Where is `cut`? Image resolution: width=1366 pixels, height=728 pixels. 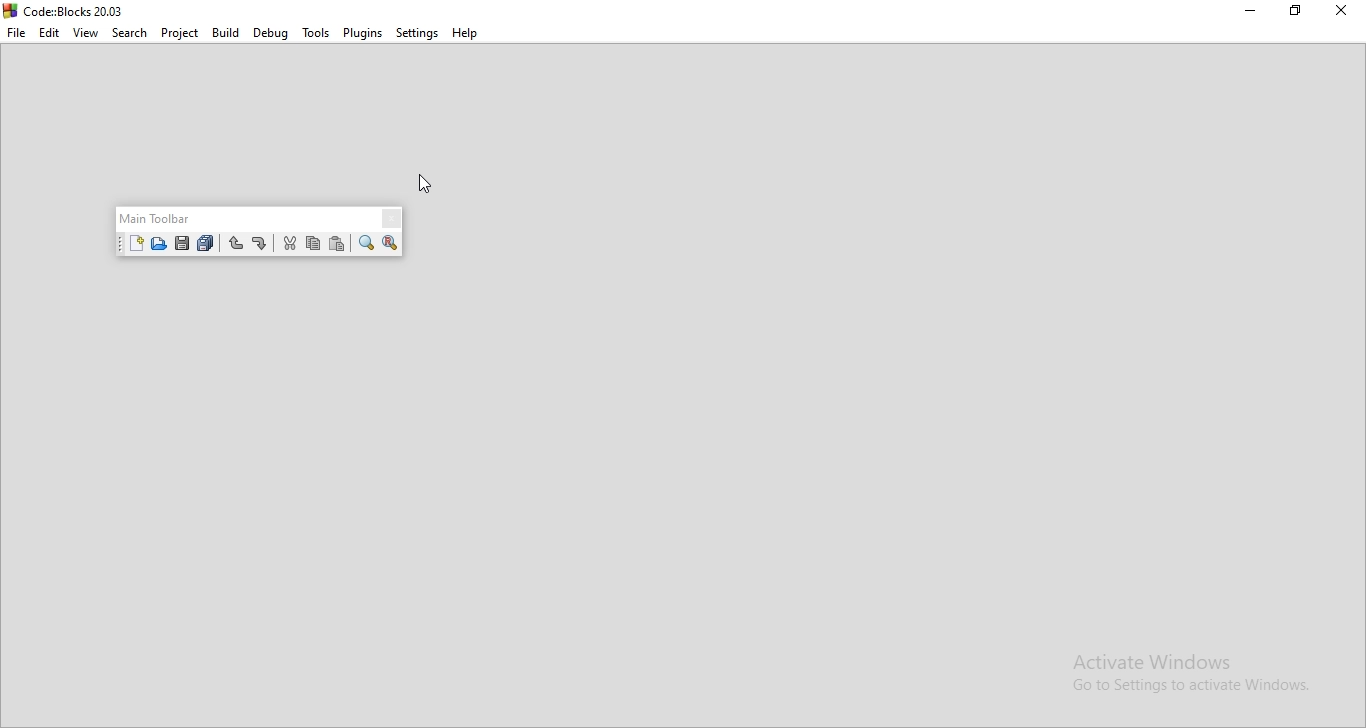
cut is located at coordinates (288, 246).